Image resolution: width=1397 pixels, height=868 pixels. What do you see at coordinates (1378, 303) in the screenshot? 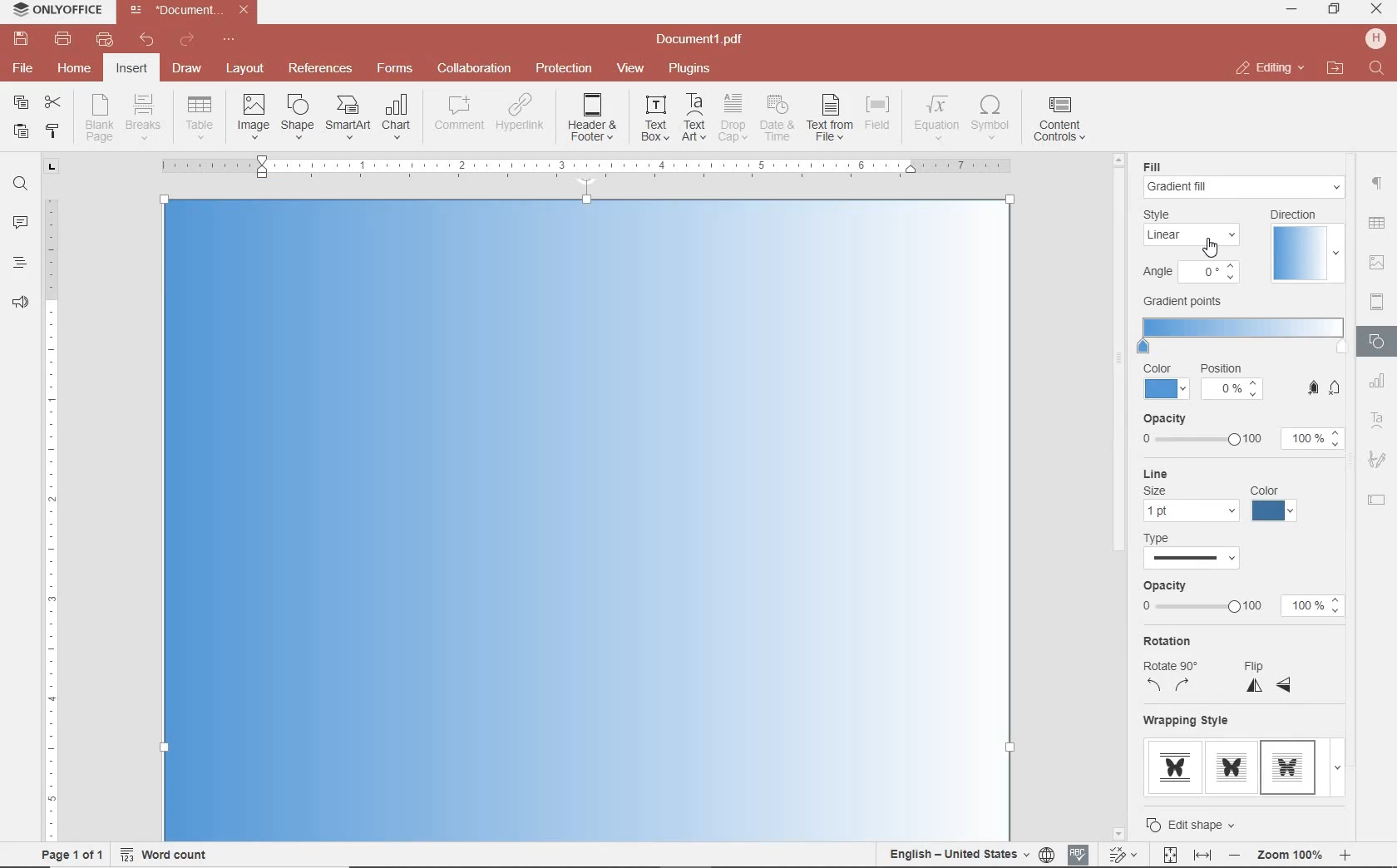
I see `HEADERS & FOOTERS` at bounding box center [1378, 303].